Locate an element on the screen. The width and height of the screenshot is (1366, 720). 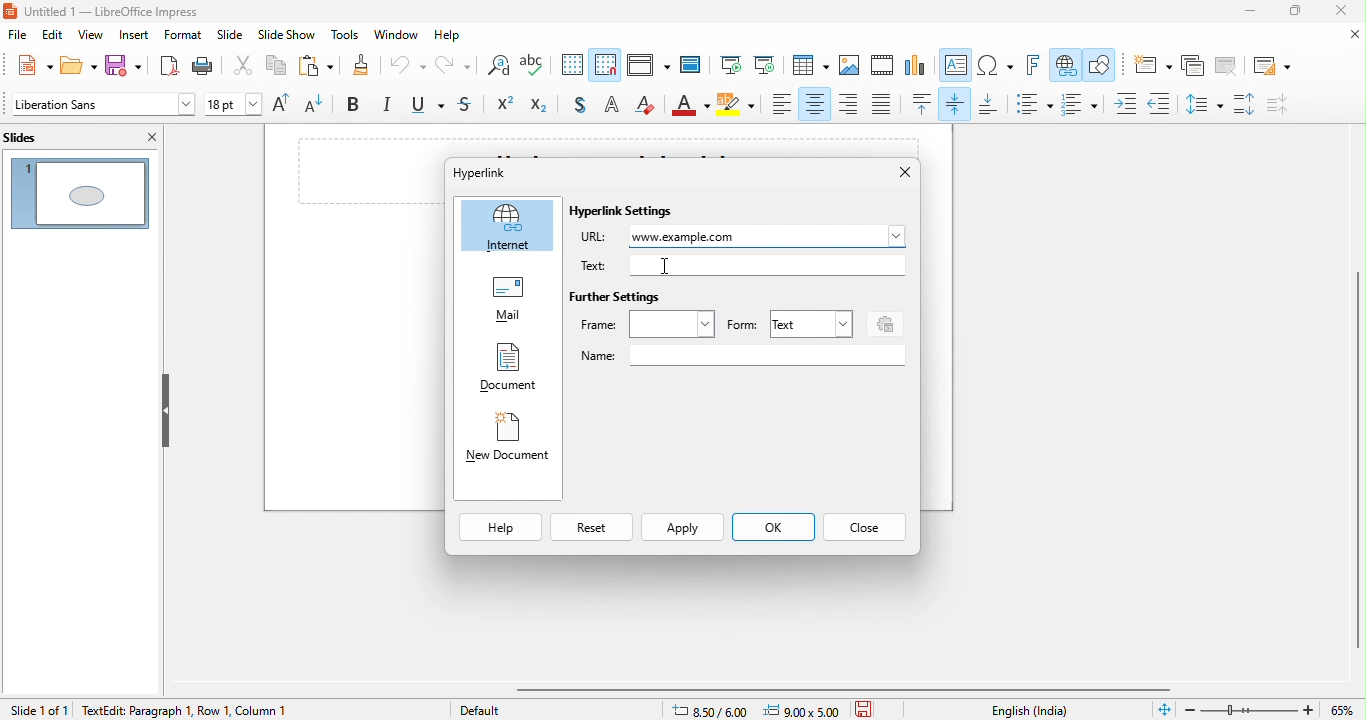
font color is located at coordinates (691, 107).